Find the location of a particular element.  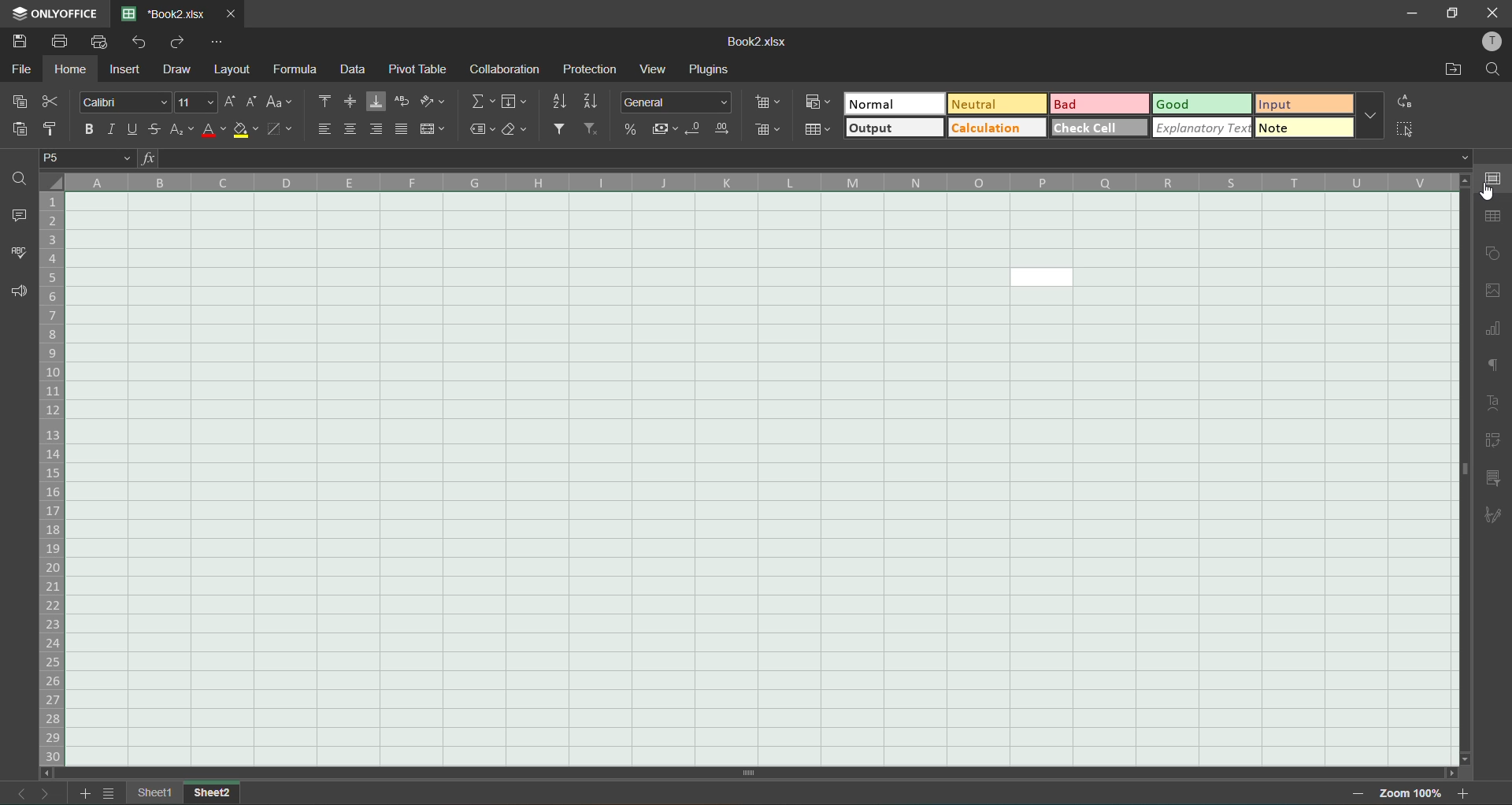

summation is located at coordinates (487, 102).